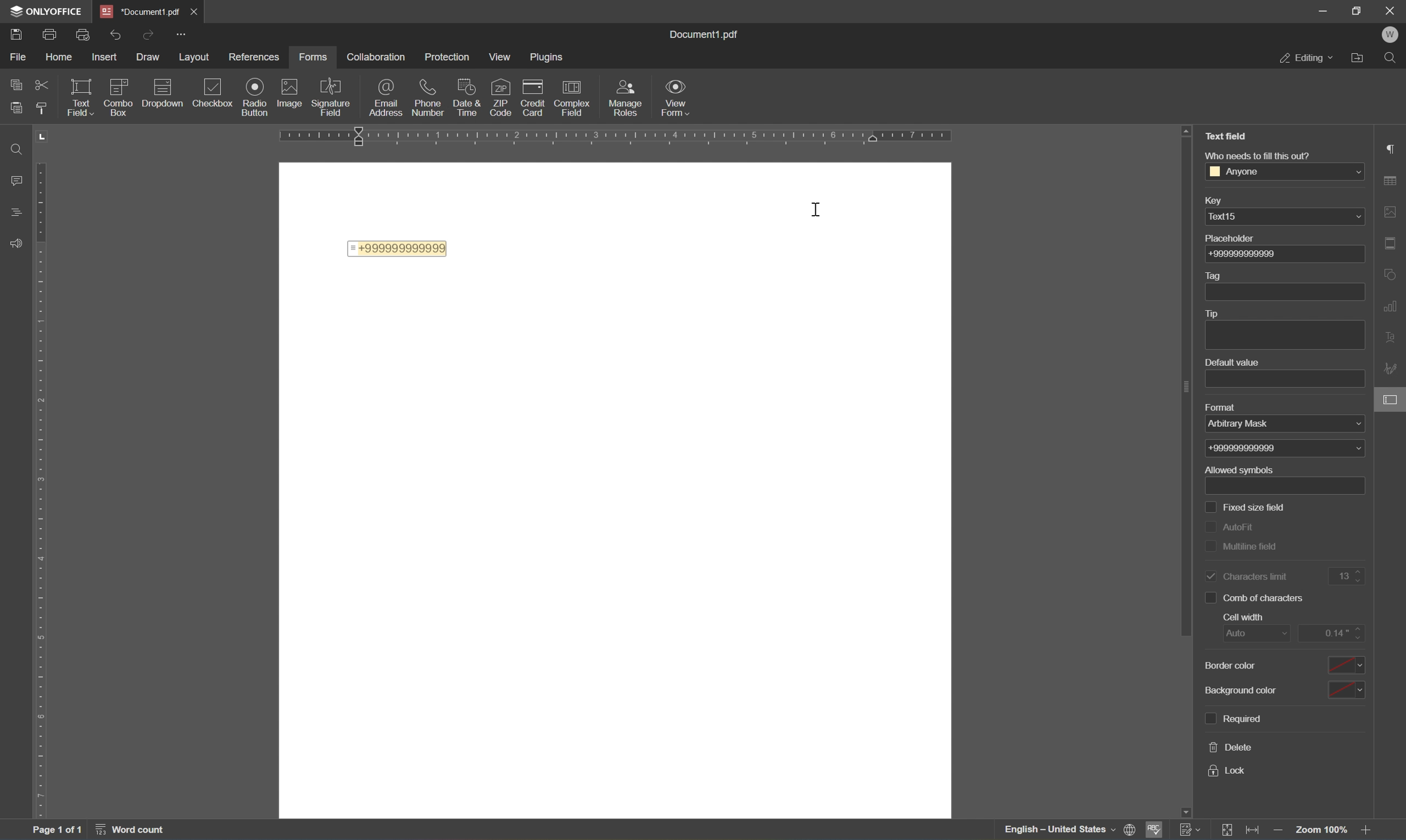 The image size is (1406, 840). What do you see at coordinates (1324, 10) in the screenshot?
I see `minimize` at bounding box center [1324, 10].